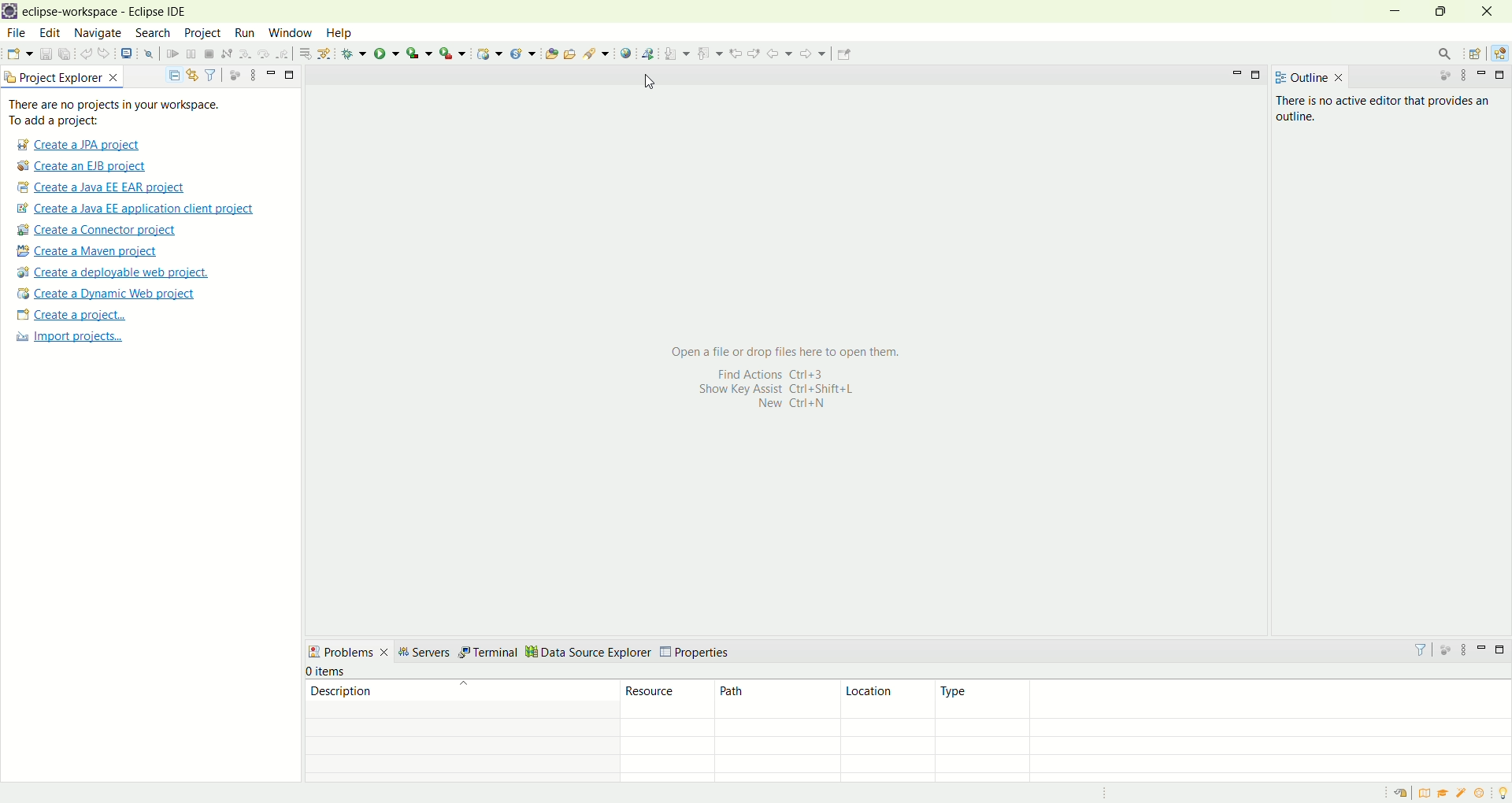 This screenshot has width=1512, height=803. Describe the element at coordinates (387, 53) in the screenshot. I see `run` at that location.